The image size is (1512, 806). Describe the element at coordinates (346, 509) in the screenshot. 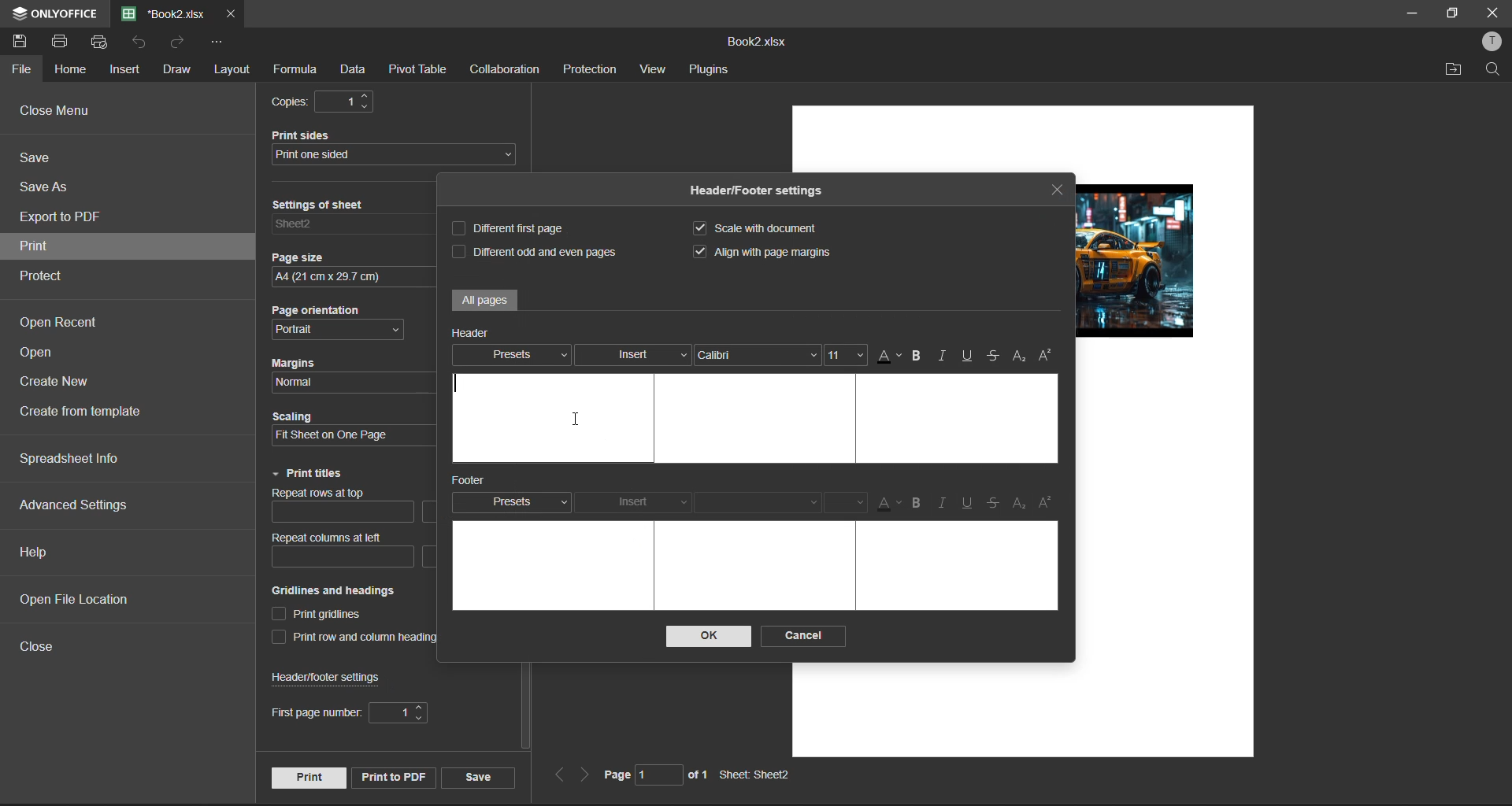

I see `repeat columns at top` at that location.